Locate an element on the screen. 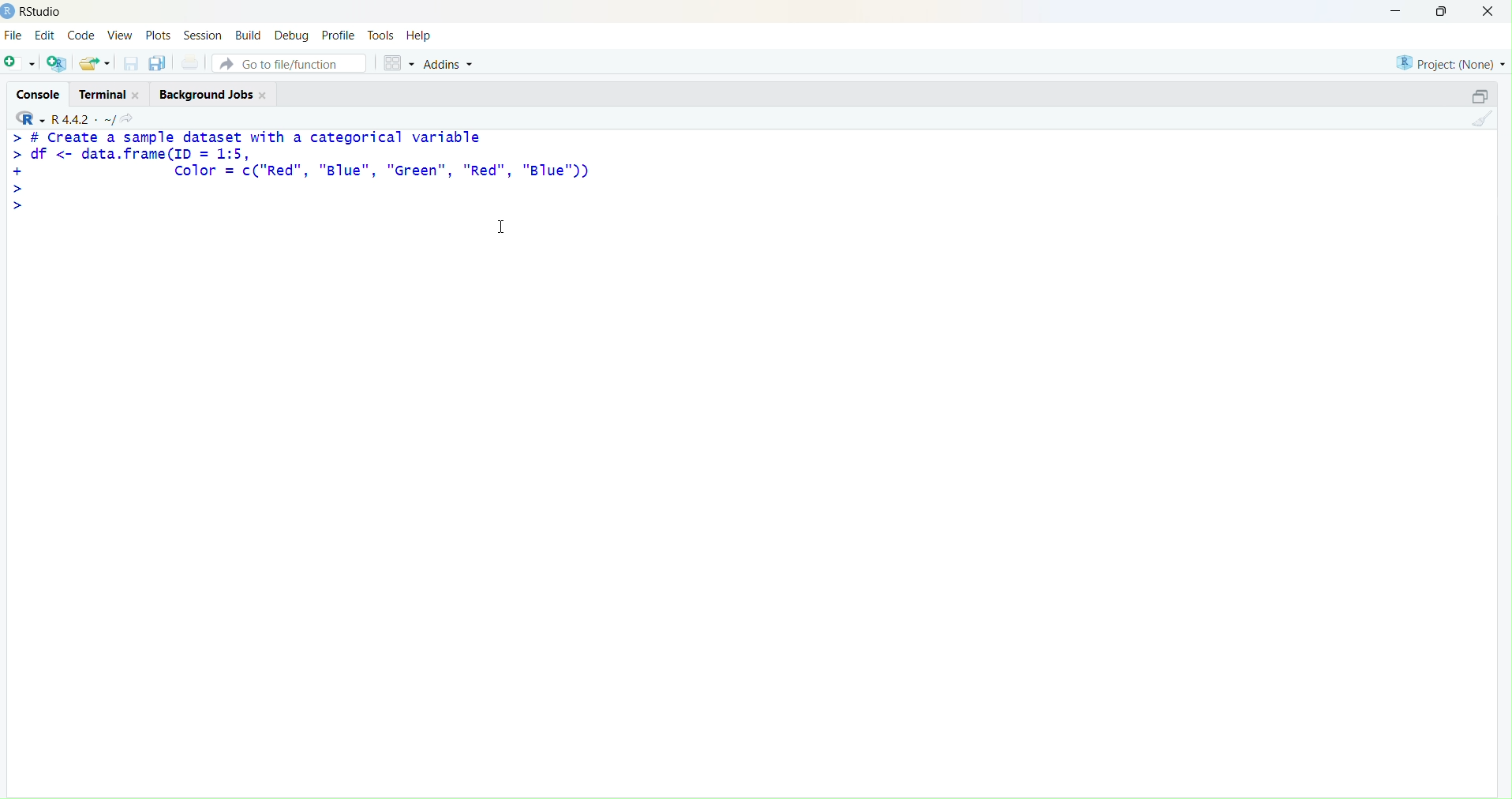  copy is located at coordinates (158, 63).